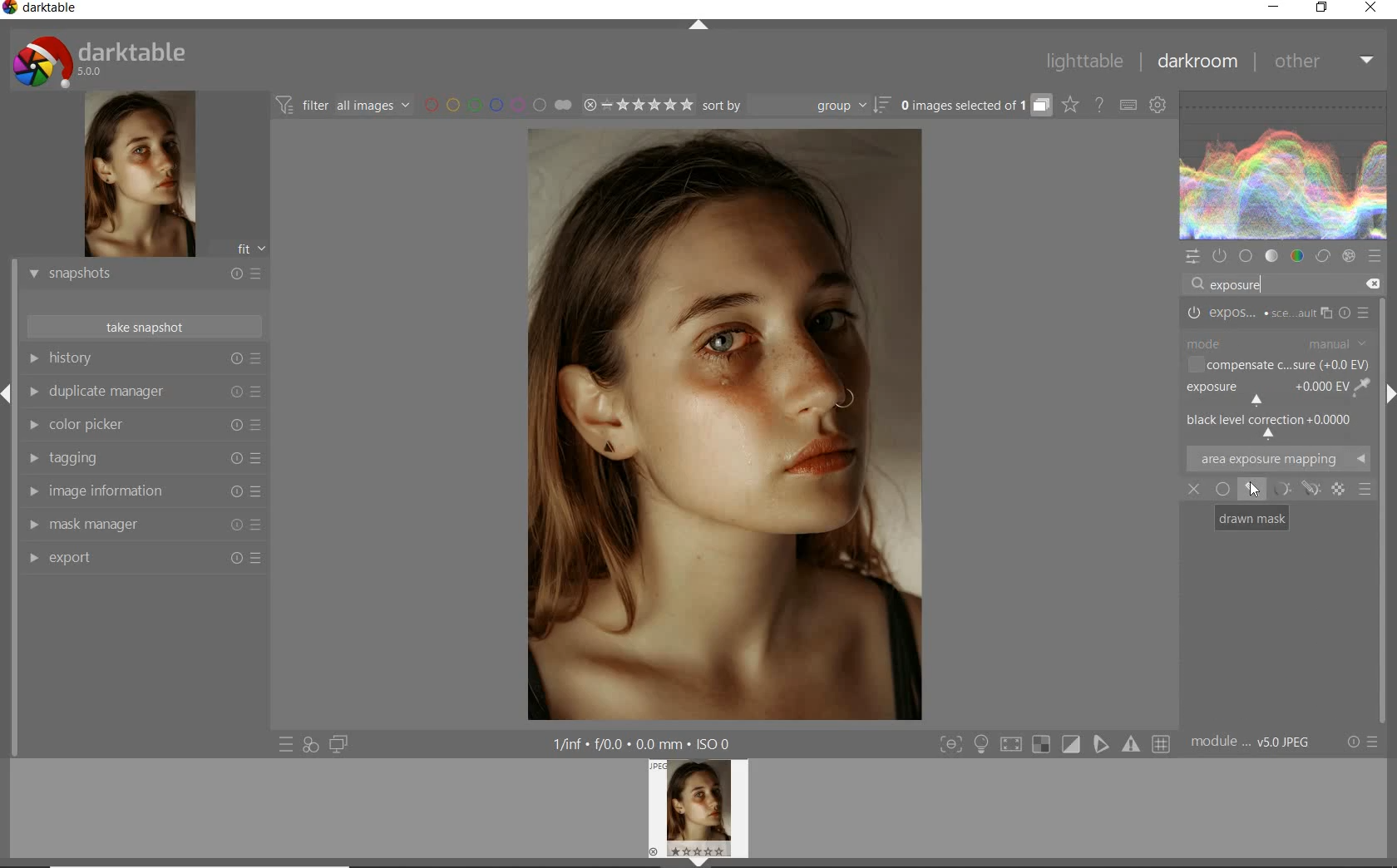 The width and height of the screenshot is (1397, 868). Describe the element at coordinates (1251, 517) in the screenshot. I see `DRAWN MASK` at that location.